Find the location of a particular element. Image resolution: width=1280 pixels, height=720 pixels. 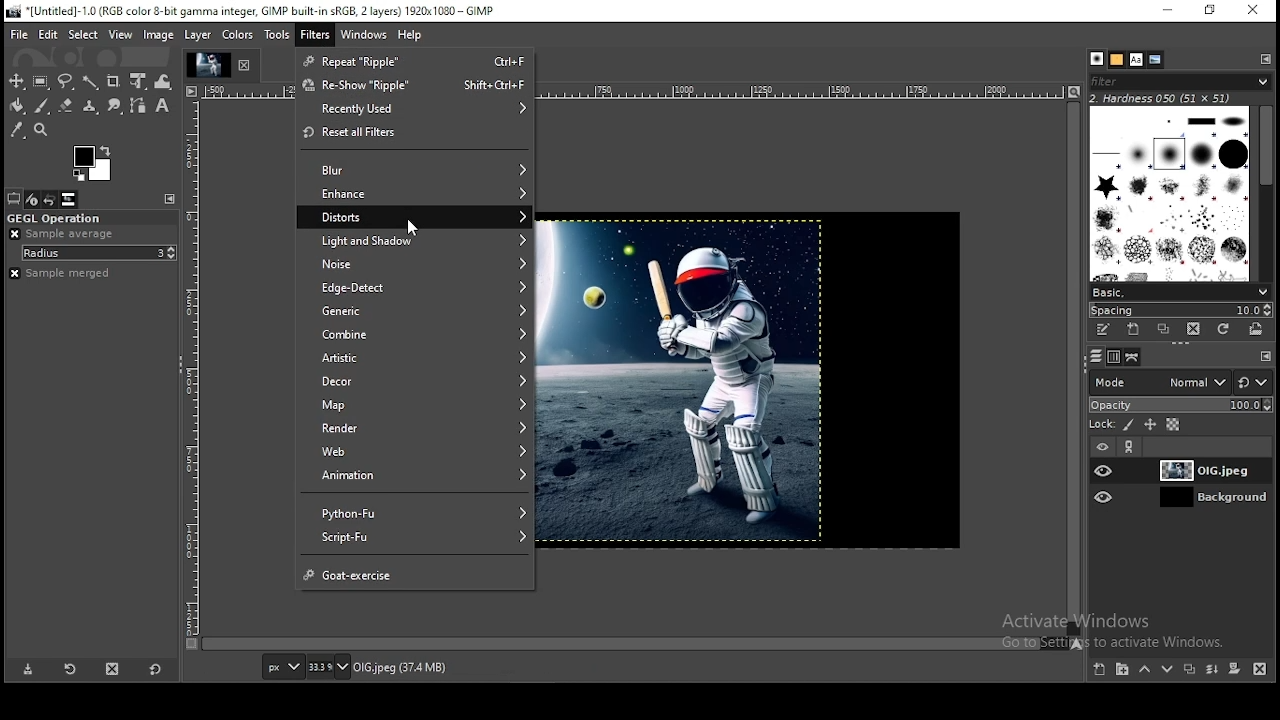

noise is located at coordinates (422, 263).